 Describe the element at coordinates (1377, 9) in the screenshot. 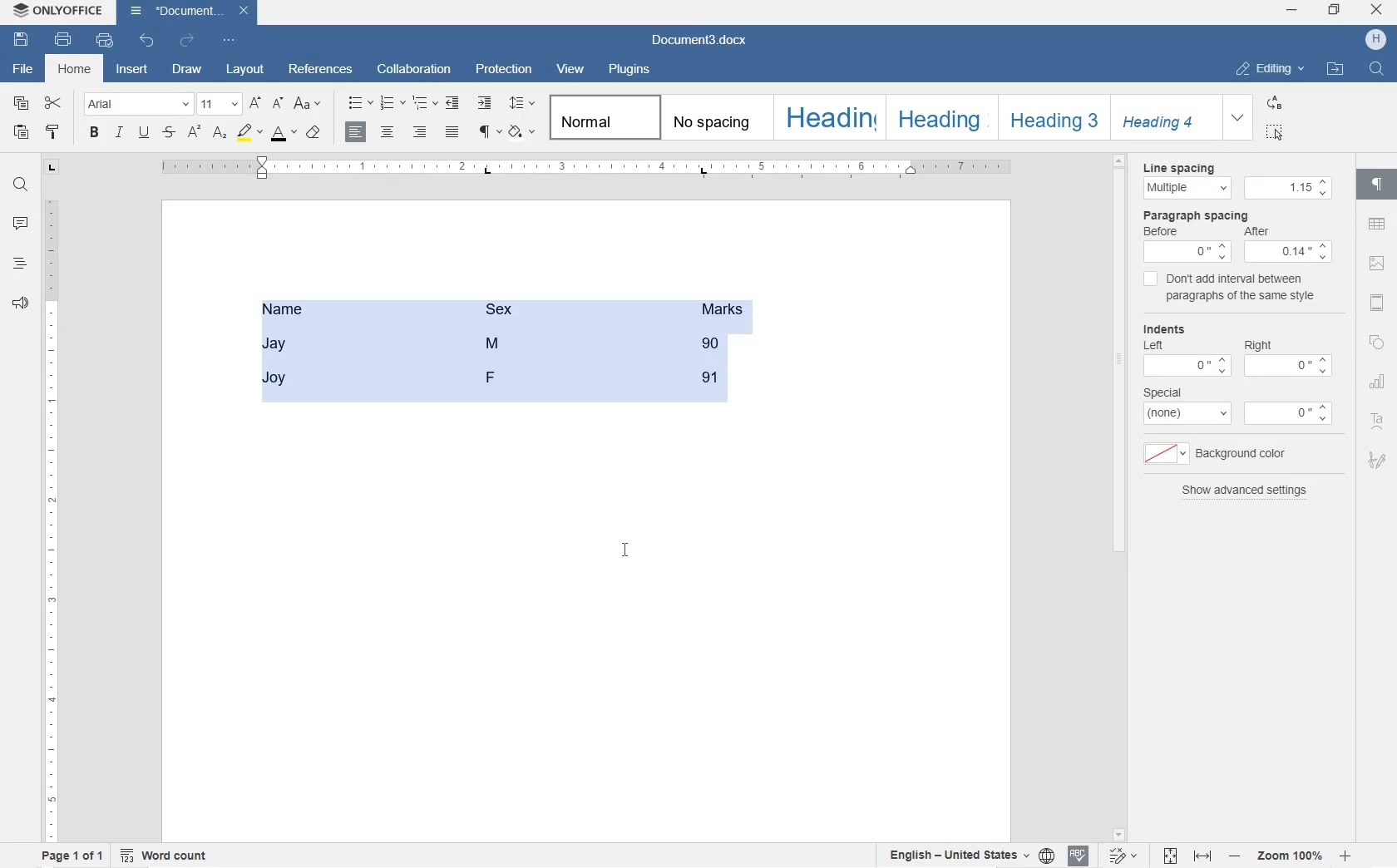

I see `CLOSE` at that location.